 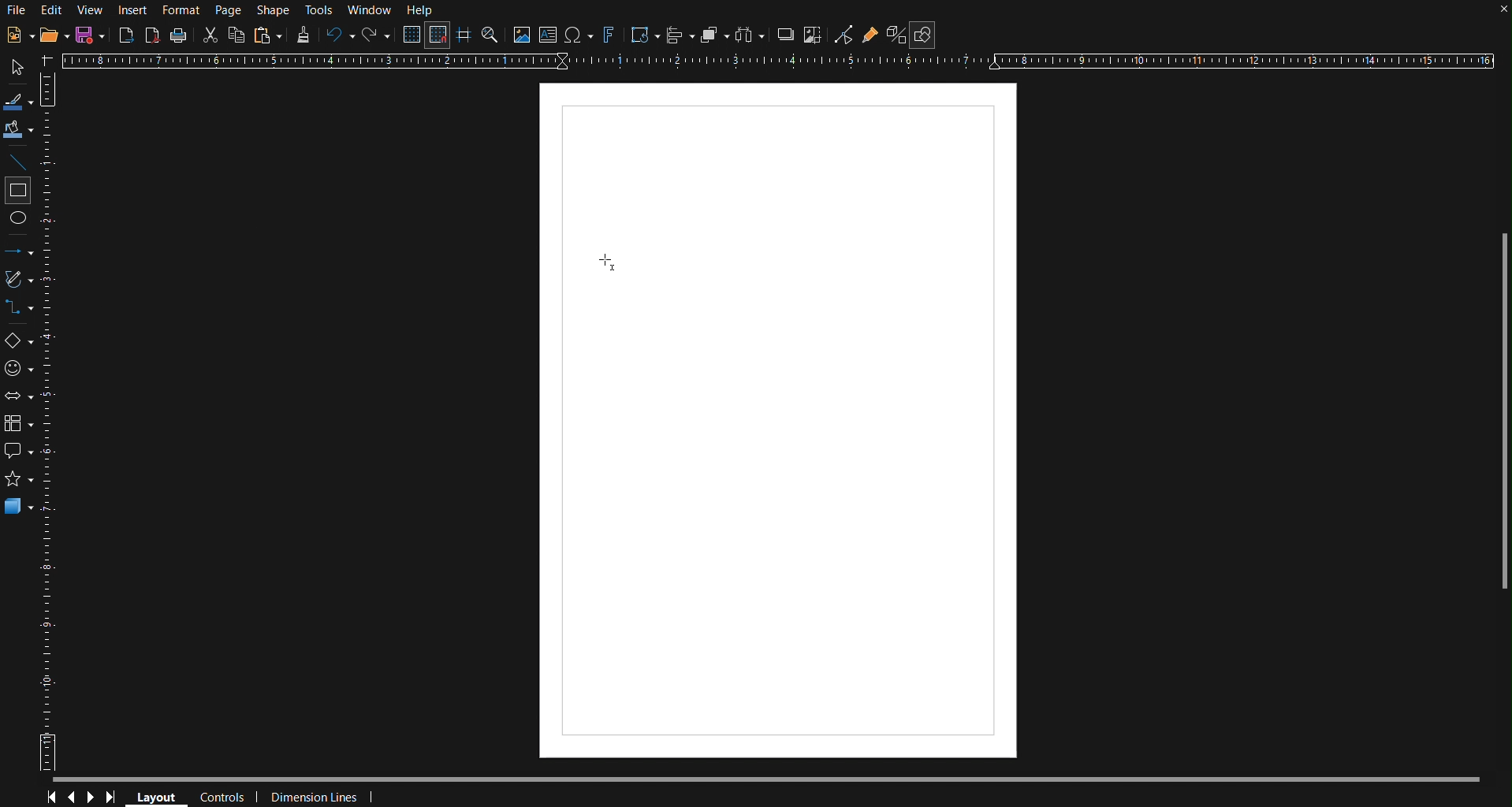 I want to click on Edit, so click(x=51, y=11).